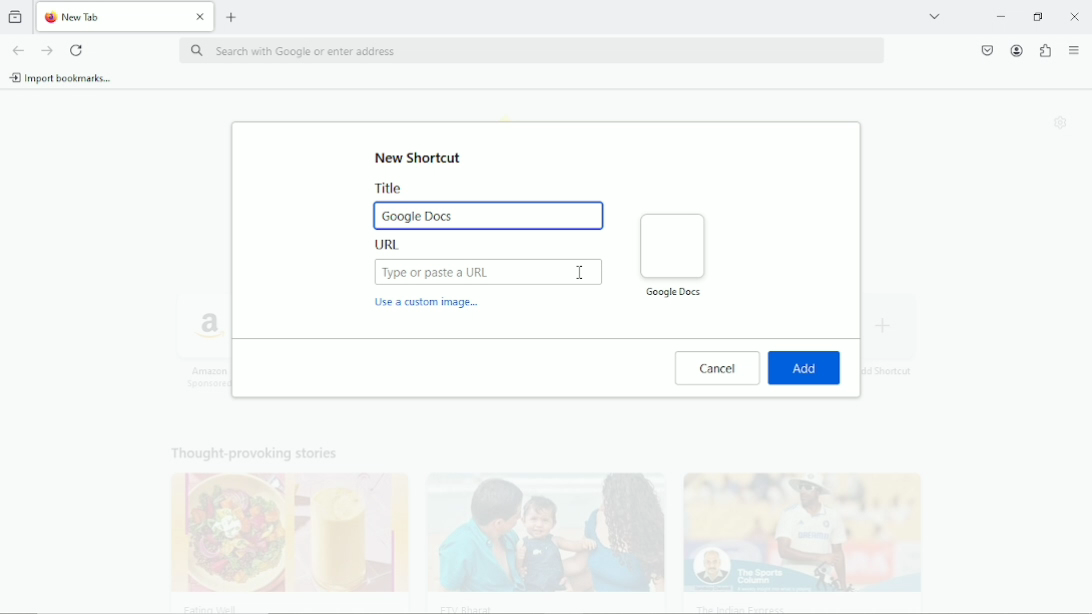 The image size is (1092, 614). Describe the element at coordinates (48, 51) in the screenshot. I see `go forward` at that location.